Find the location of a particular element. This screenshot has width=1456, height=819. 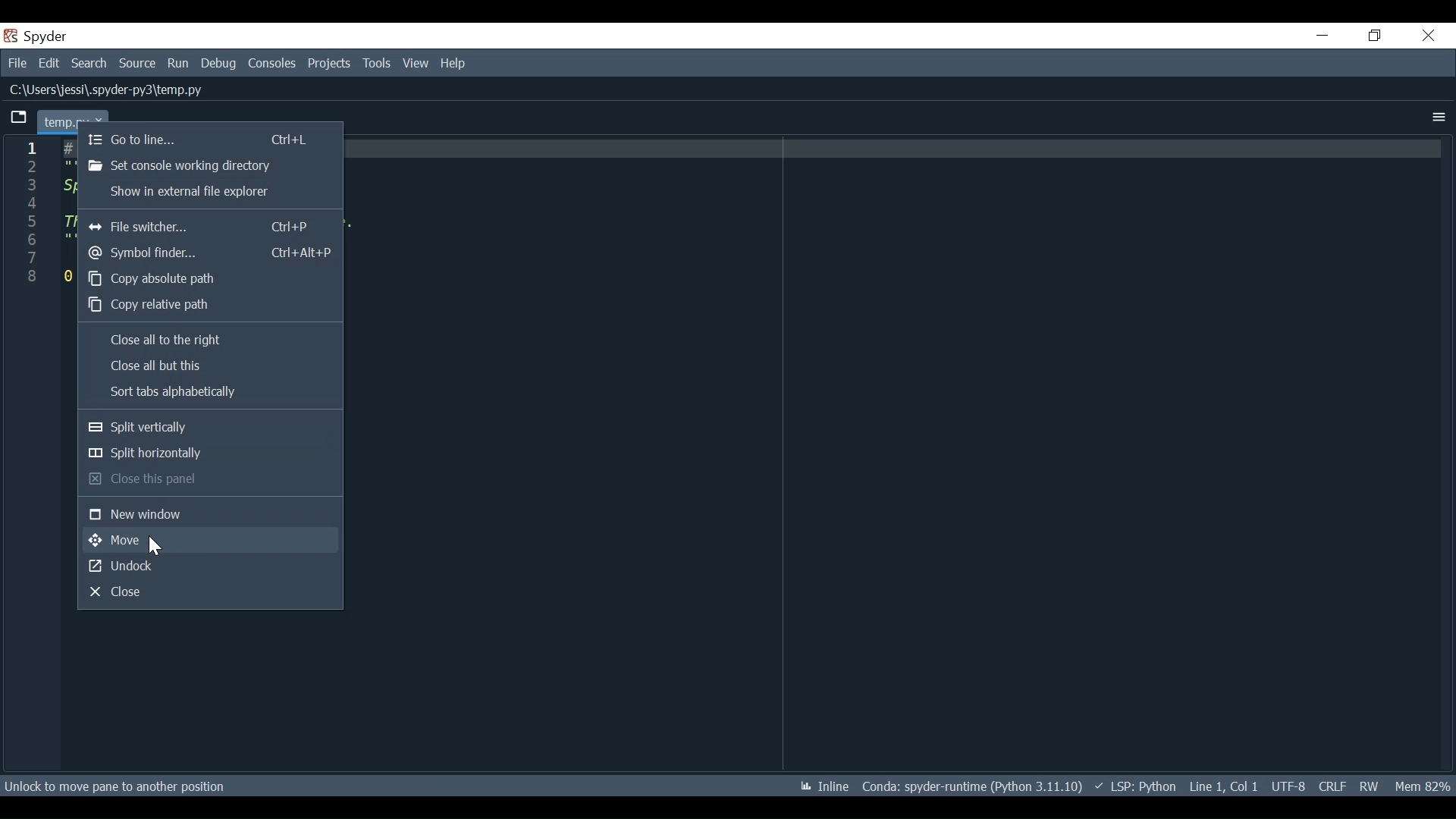

File is located at coordinates (17, 63).